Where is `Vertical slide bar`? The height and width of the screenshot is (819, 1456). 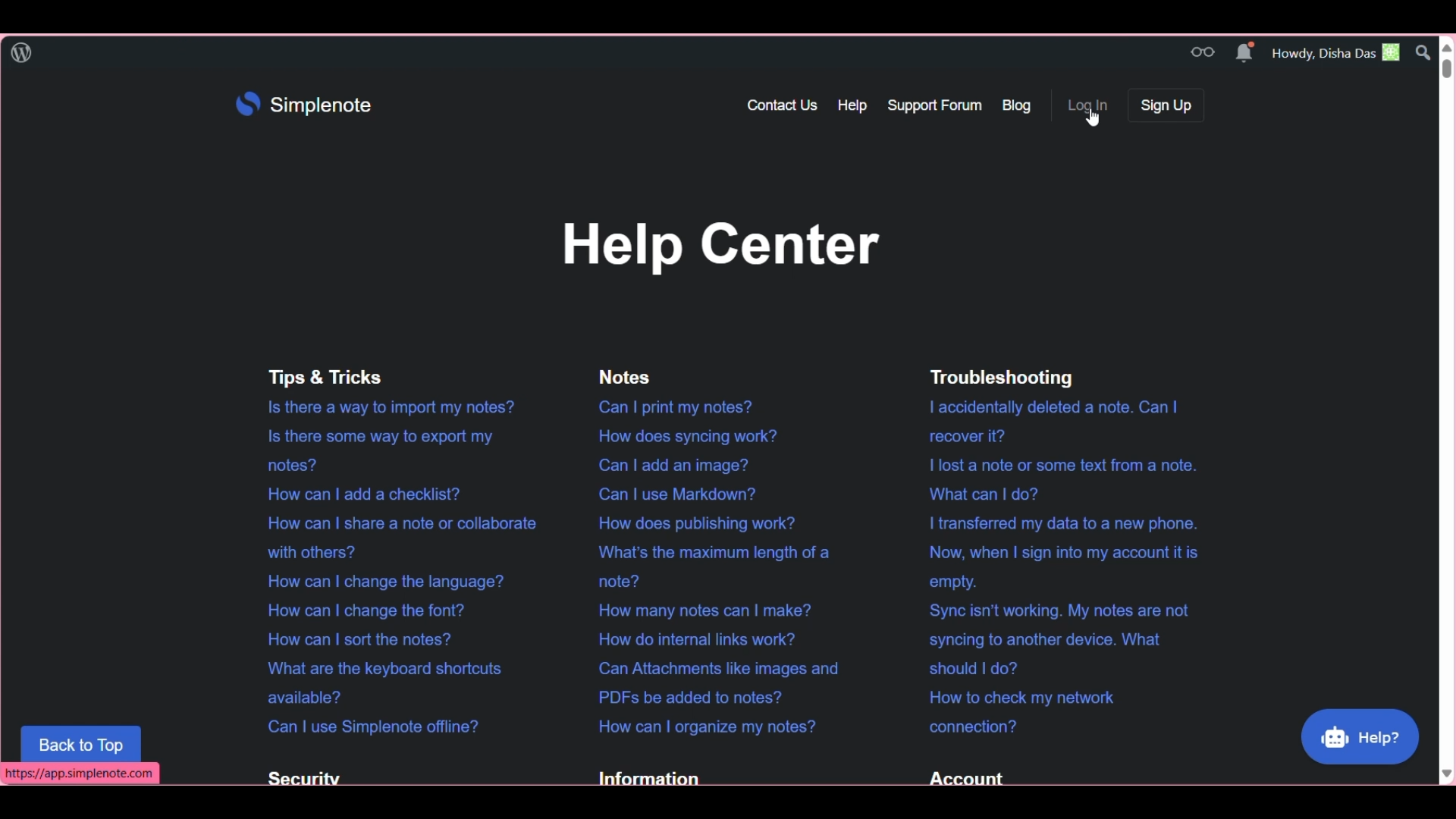
Vertical slide bar is located at coordinates (1450, 408).